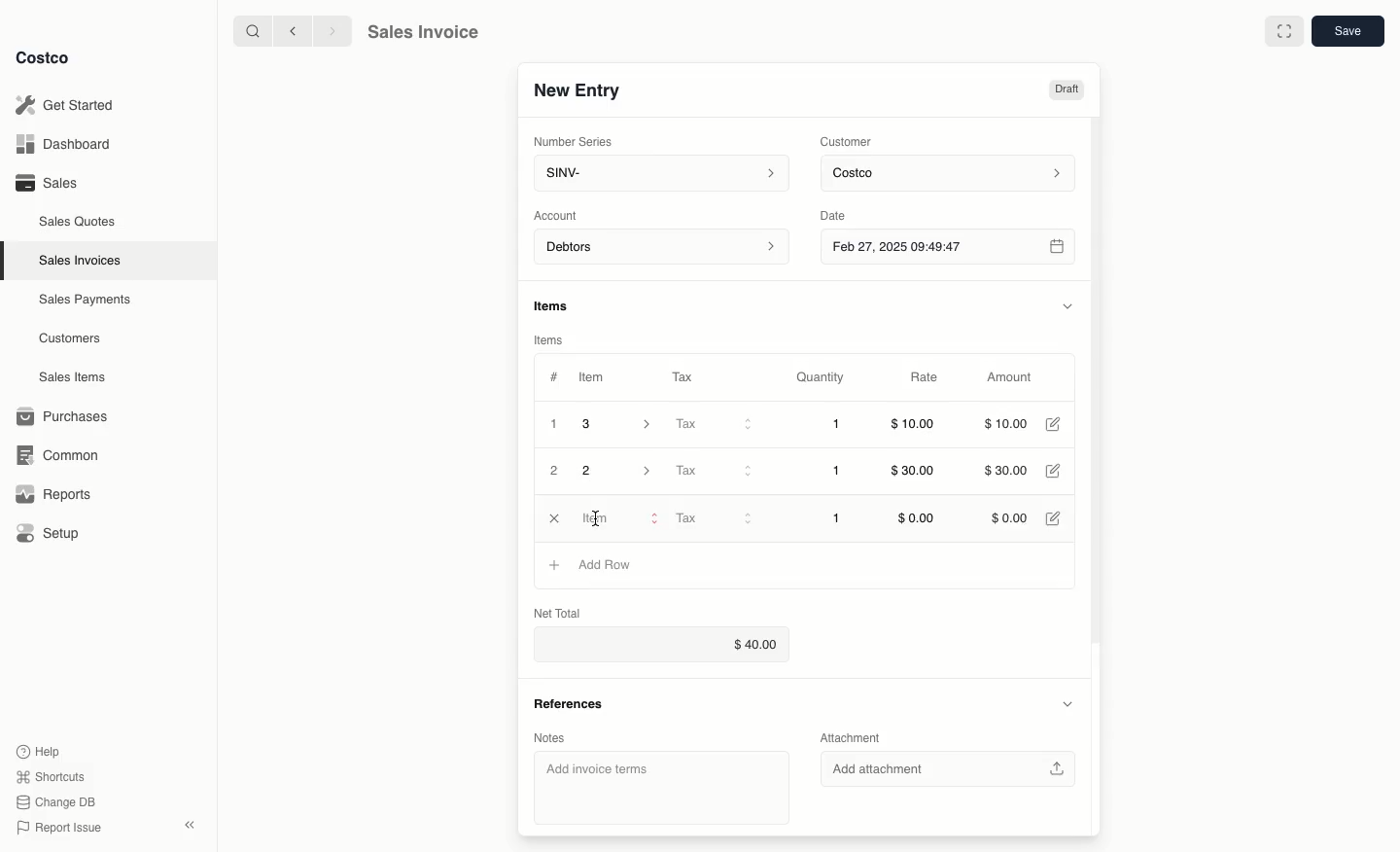 The height and width of the screenshot is (852, 1400). I want to click on Costco, so click(44, 58).